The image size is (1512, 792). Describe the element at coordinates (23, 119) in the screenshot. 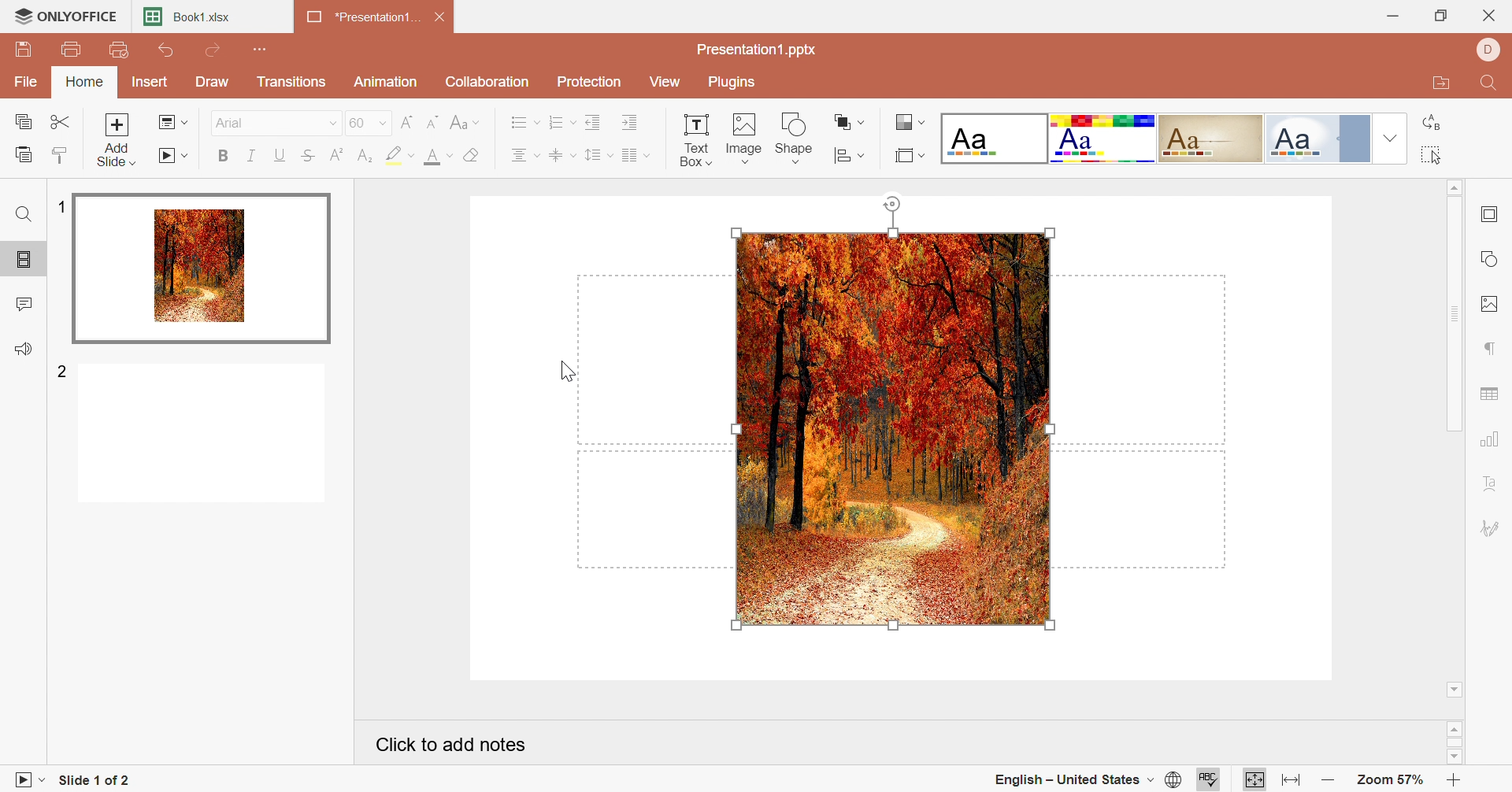

I see `Copy` at that location.